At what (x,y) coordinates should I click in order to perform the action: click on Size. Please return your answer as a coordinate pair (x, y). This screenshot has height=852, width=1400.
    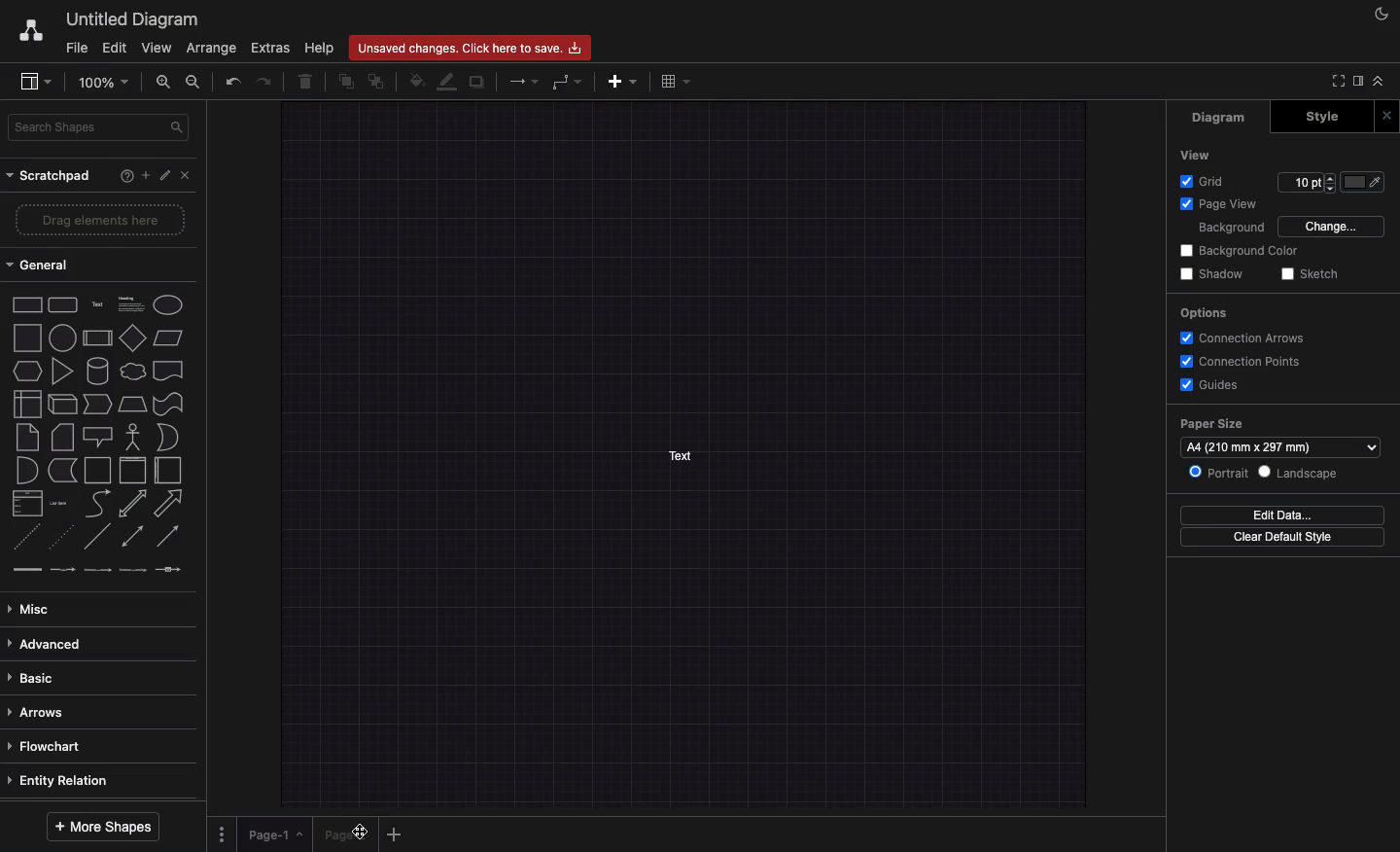
    Looking at the image, I should click on (1307, 183).